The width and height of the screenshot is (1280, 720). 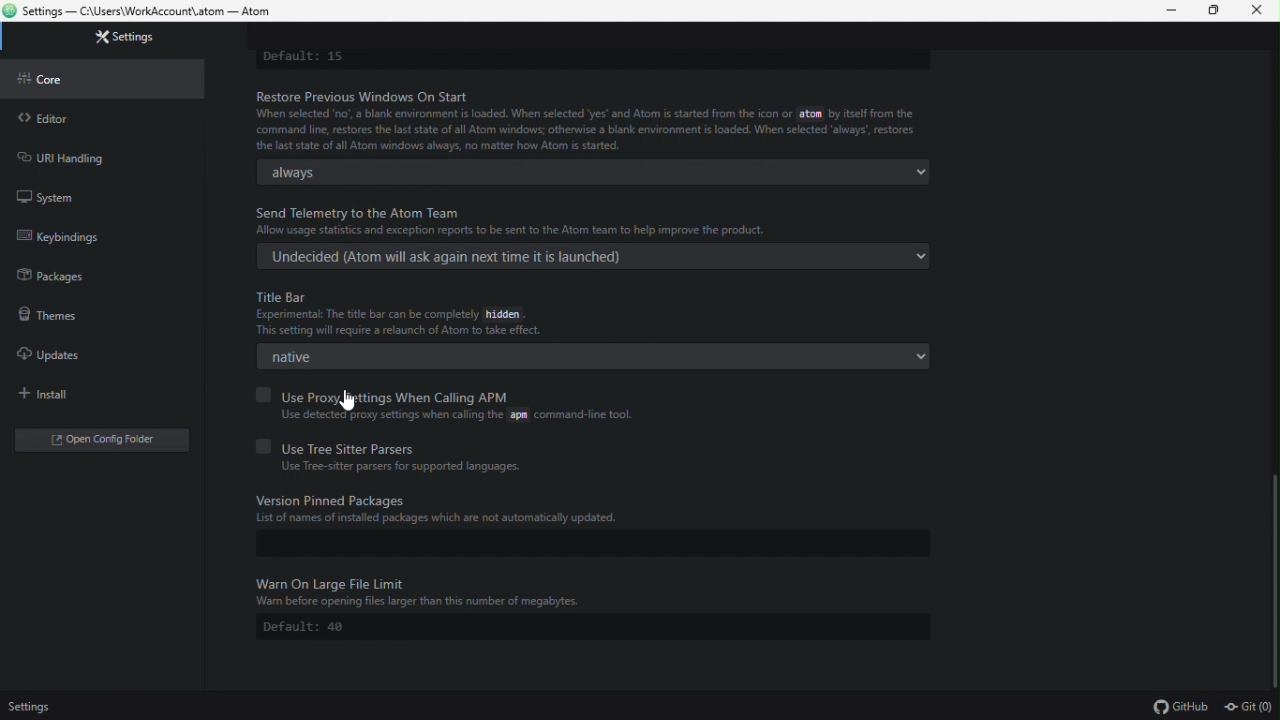 I want to click on Undecided (Atom will ask again next time it is launched), so click(x=595, y=257).